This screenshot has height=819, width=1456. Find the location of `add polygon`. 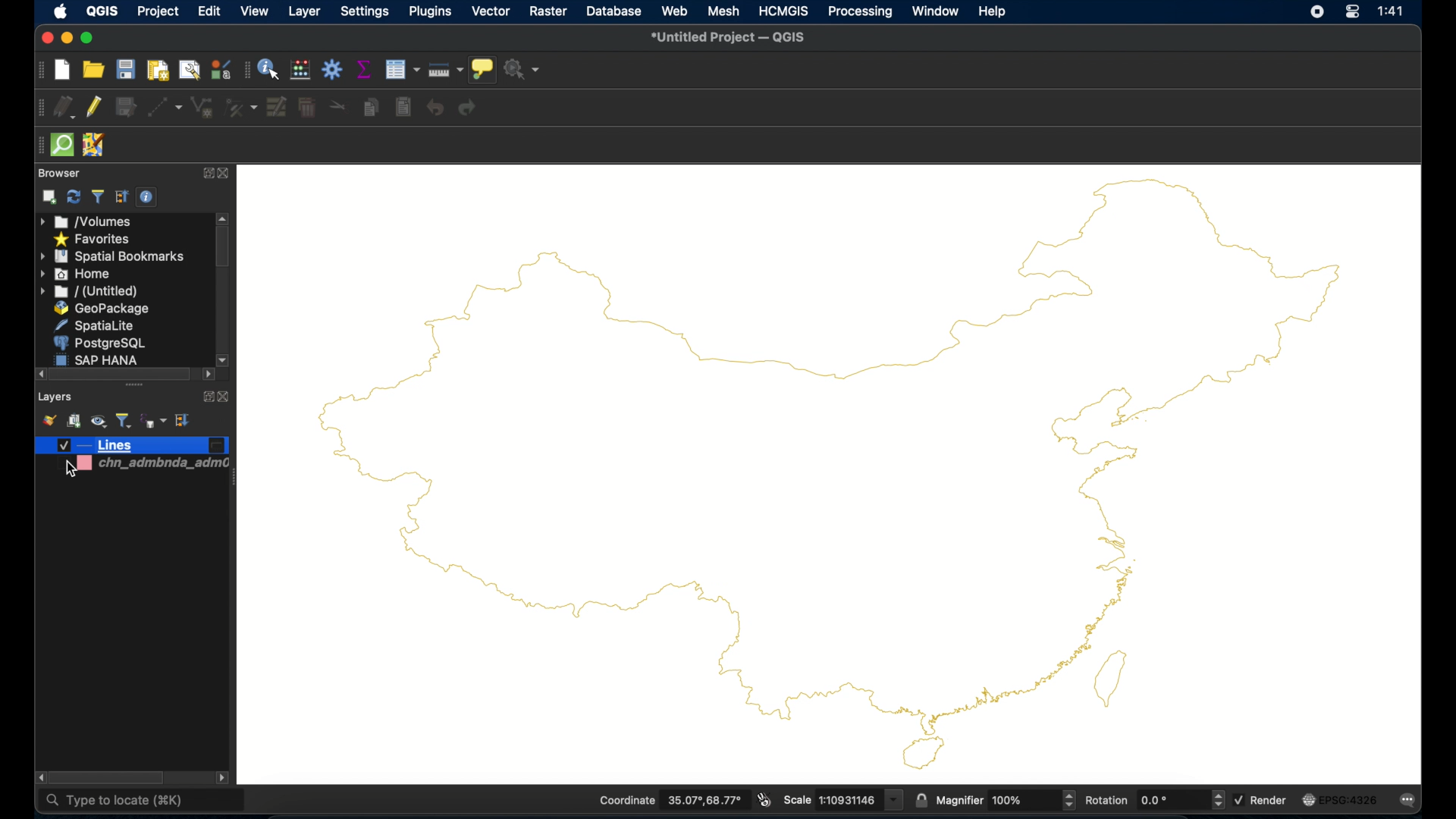

add polygon is located at coordinates (202, 108).